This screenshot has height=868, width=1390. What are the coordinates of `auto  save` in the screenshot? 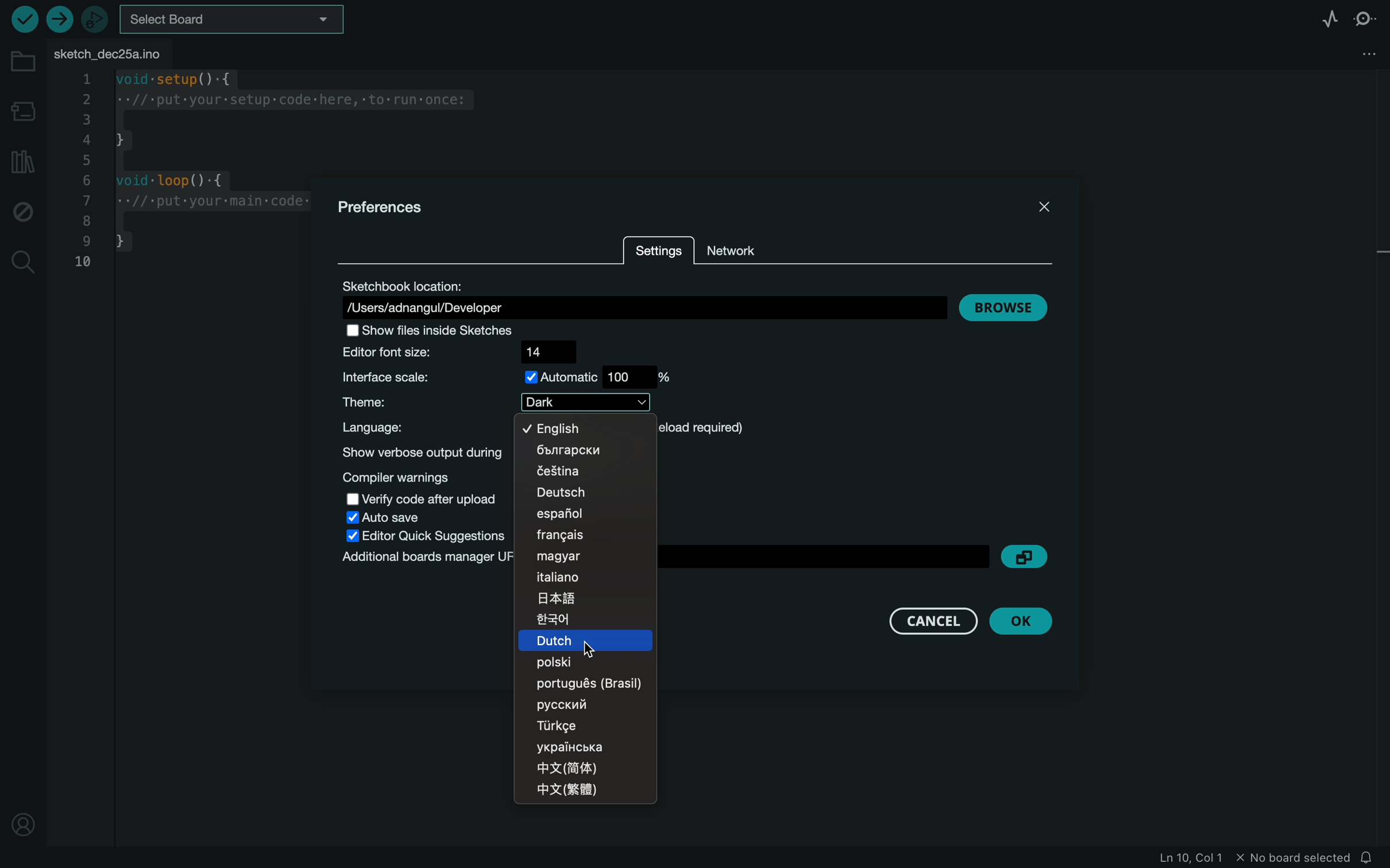 It's located at (384, 517).